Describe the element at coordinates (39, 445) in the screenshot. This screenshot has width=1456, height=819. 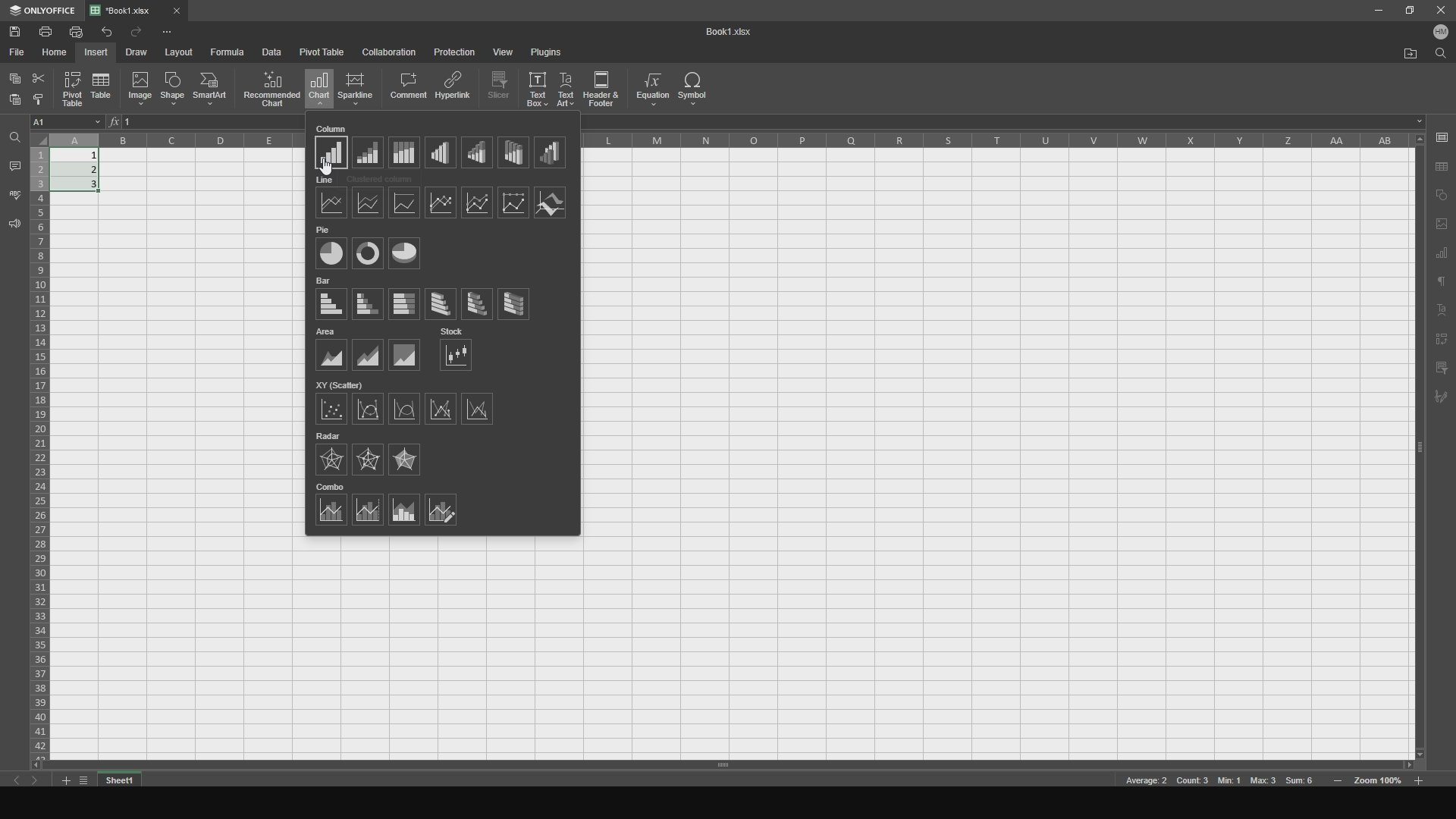
I see `cells` at that location.